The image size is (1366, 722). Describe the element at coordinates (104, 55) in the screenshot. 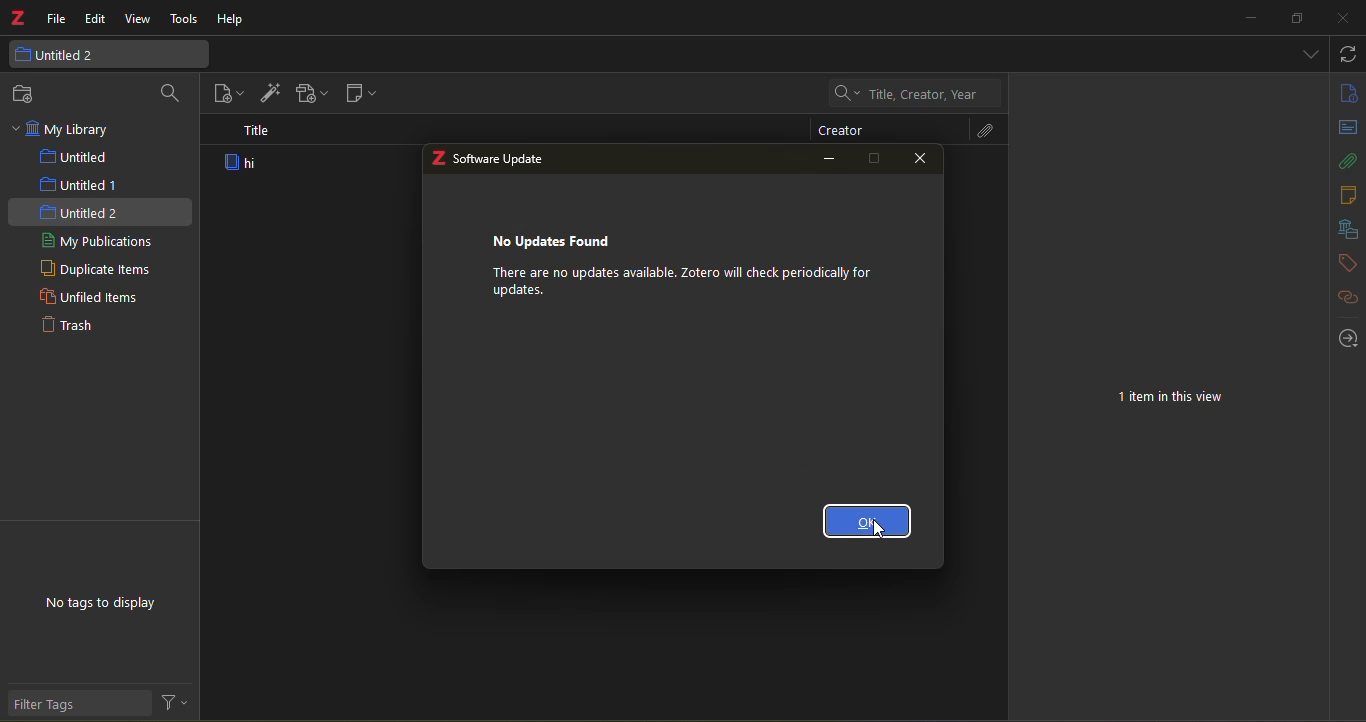

I see `untitled 2` at that location.